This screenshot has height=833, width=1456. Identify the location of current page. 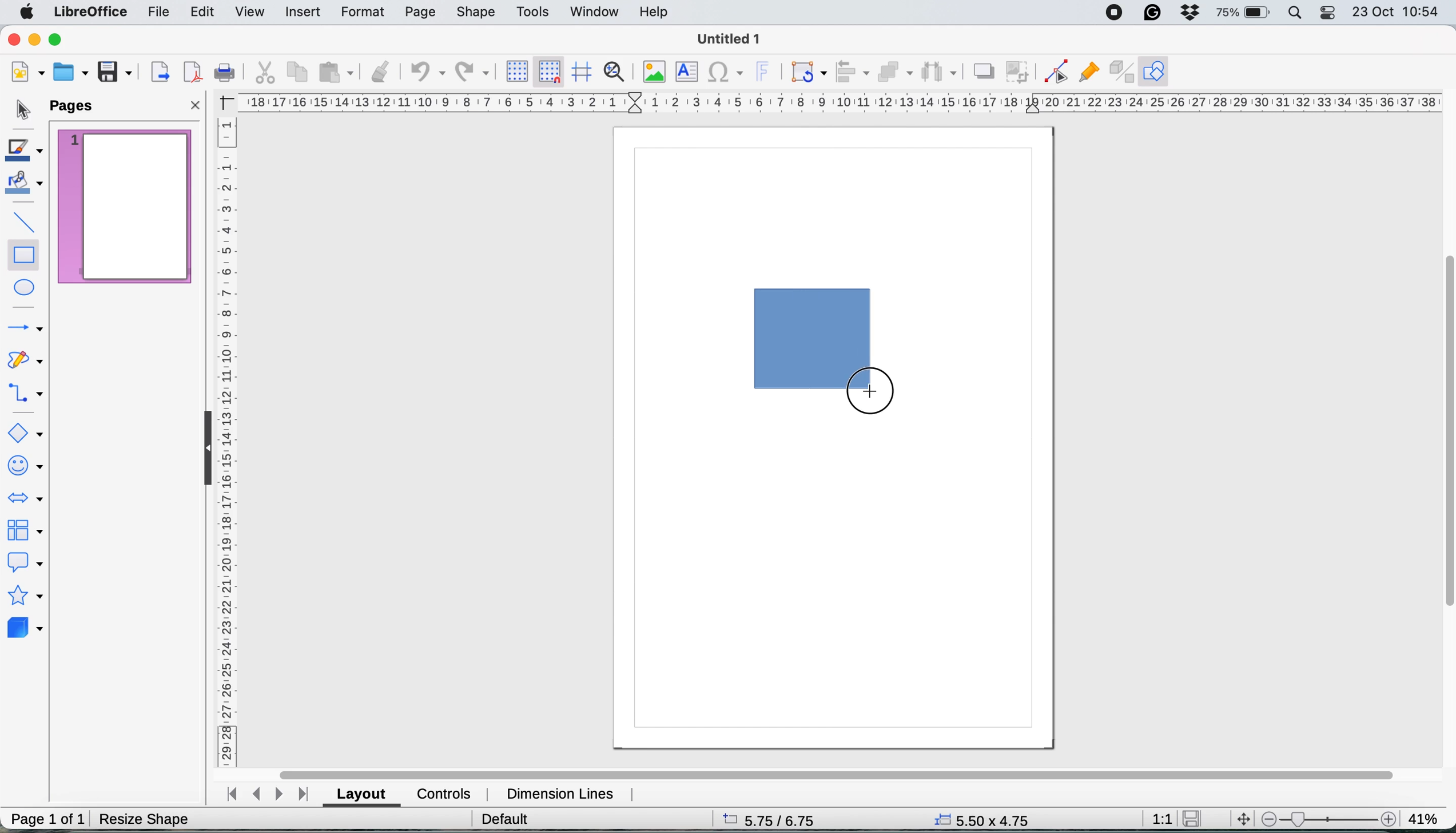
(124, 206).